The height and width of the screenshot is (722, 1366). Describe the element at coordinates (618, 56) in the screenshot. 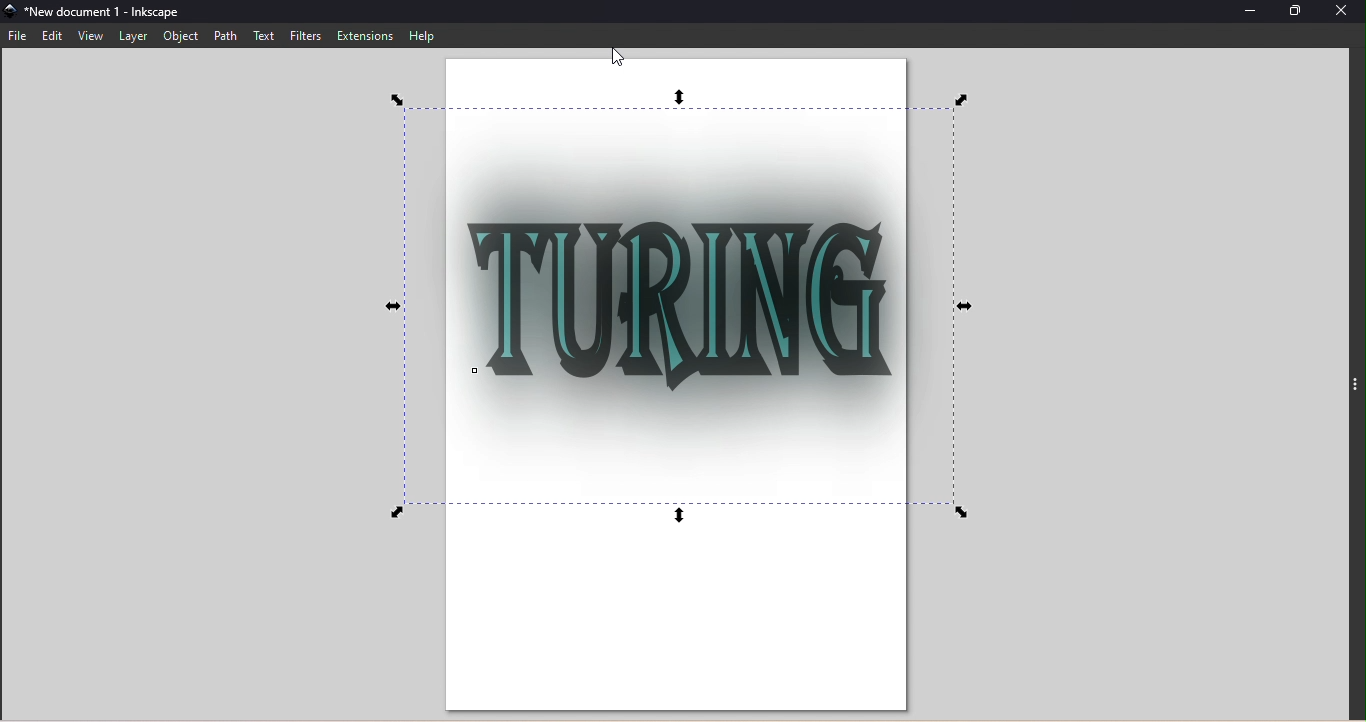

I see `cursor` at that location.